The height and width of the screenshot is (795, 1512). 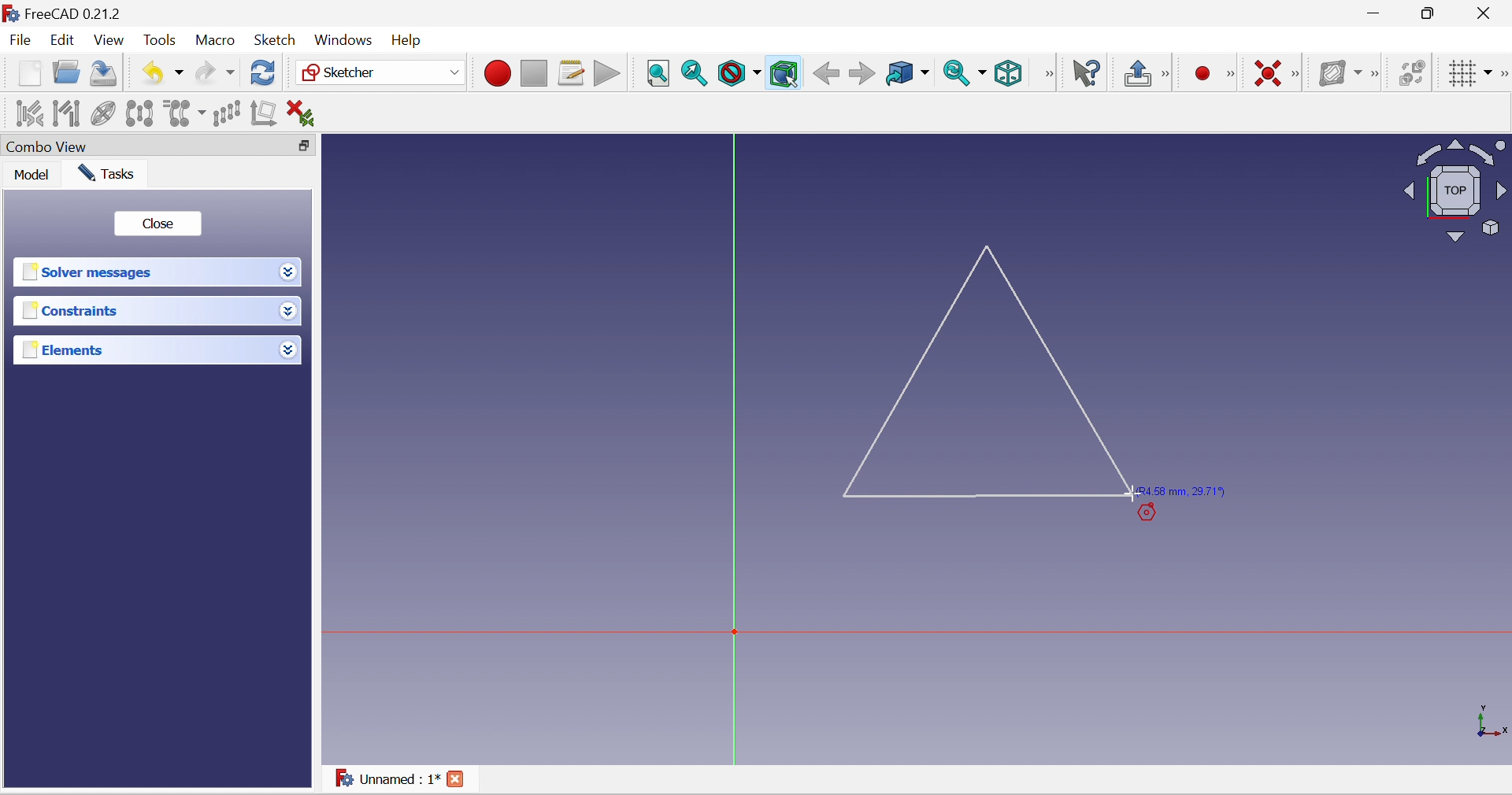 I want to click on Macro, so click(x=213, y=41).